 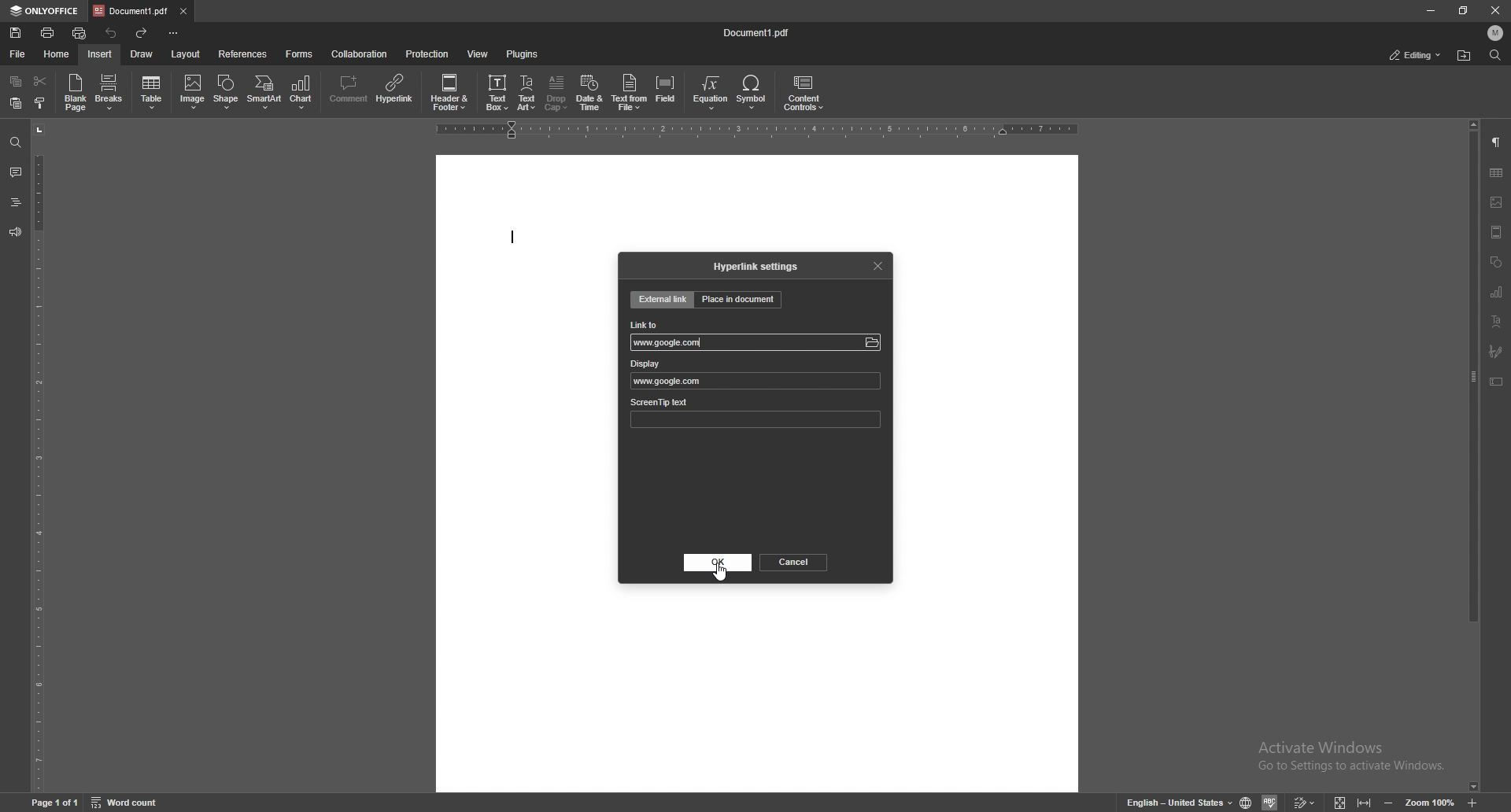 I want to click on header/footer, so click(x=1497, y=231).